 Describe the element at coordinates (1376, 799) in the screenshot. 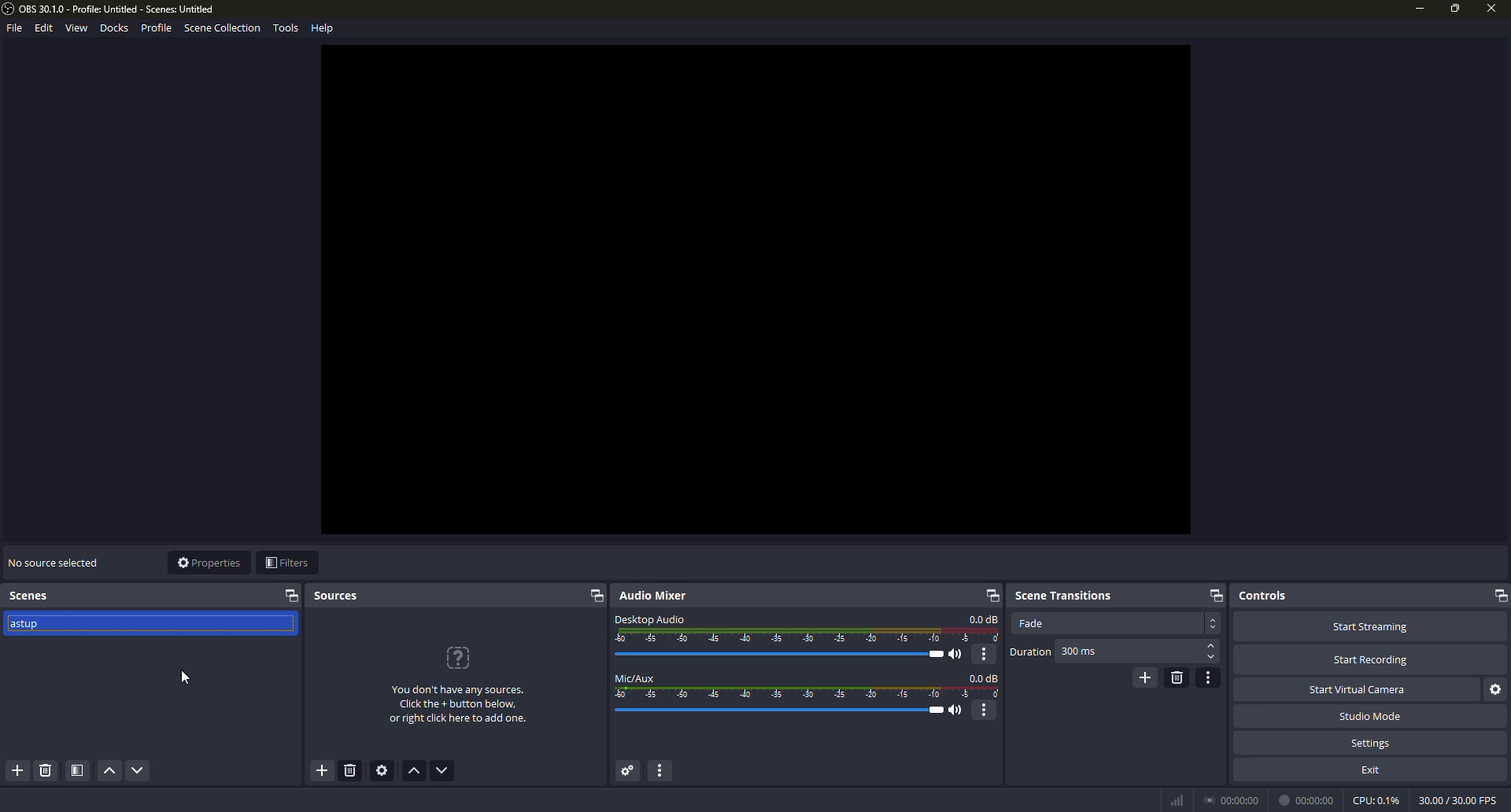

I see `cpu level` at that location.